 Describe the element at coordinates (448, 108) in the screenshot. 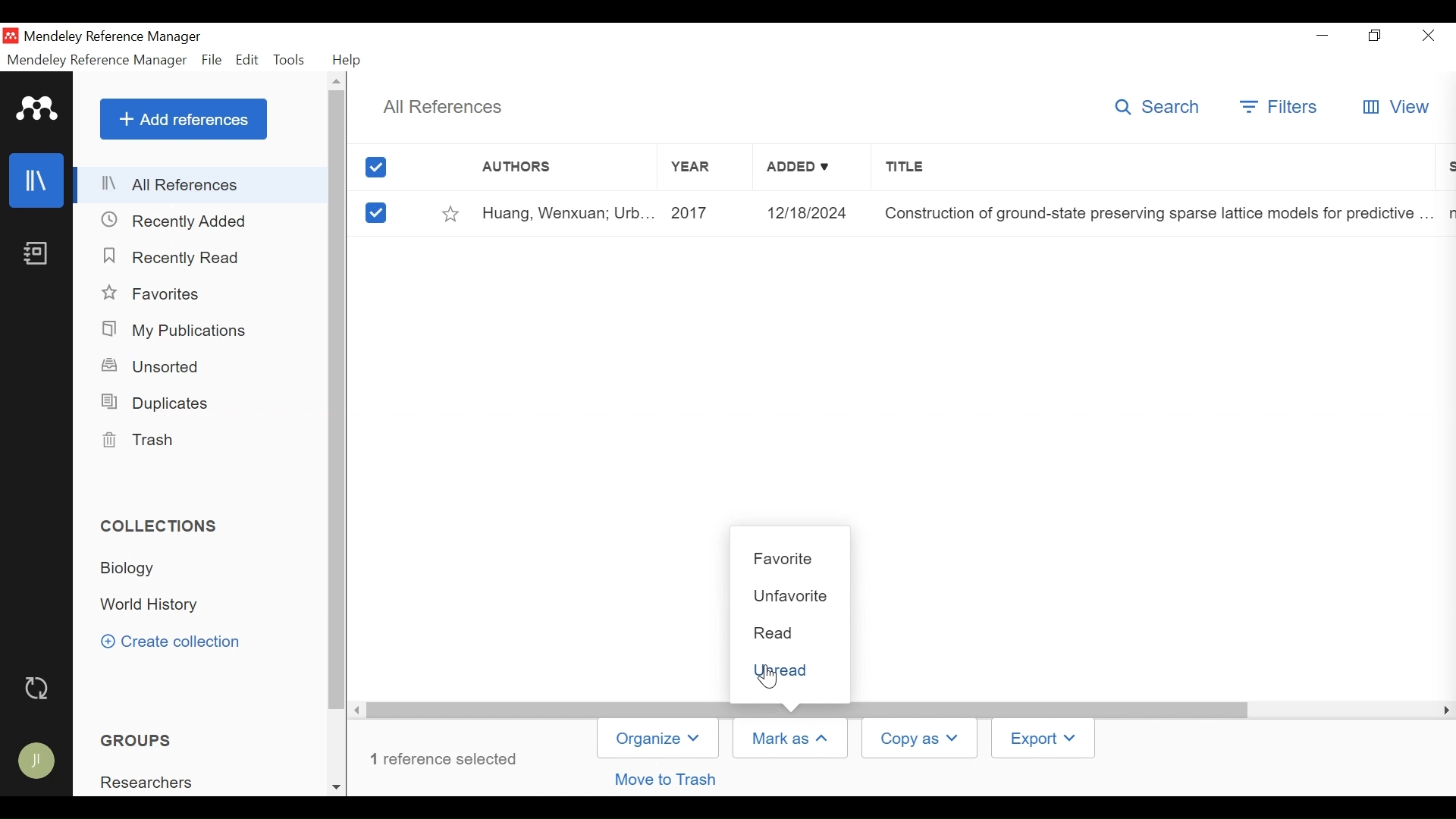

I see `All References` at that location.